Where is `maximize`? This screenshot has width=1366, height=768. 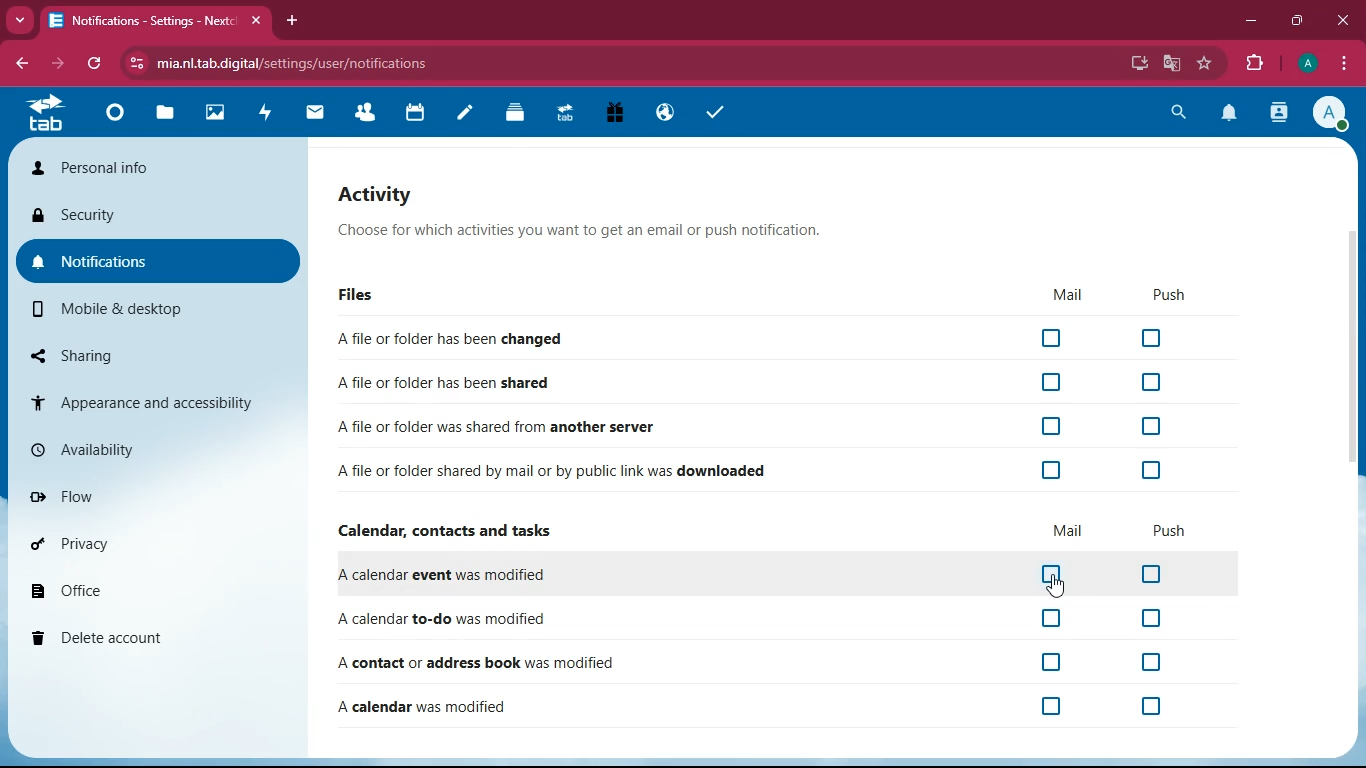
maximize is located at coordinates (1295, 22).